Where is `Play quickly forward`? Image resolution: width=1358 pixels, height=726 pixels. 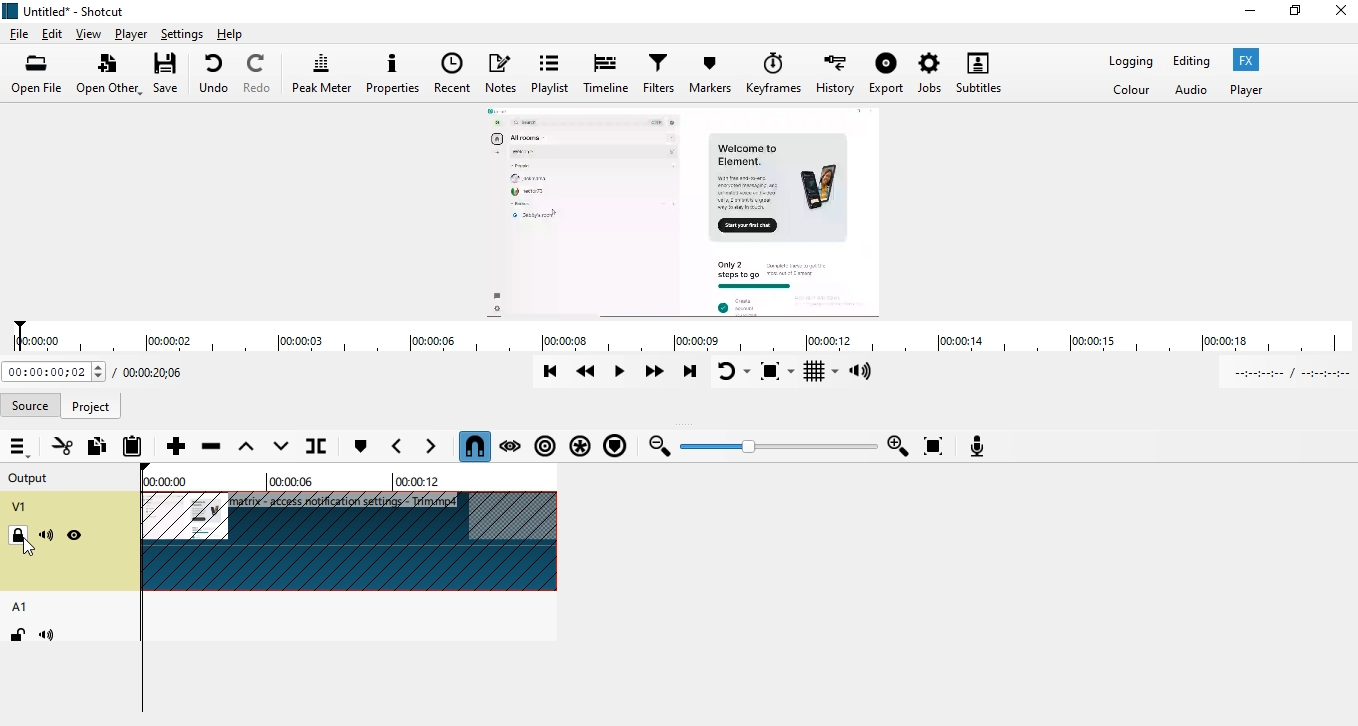 Play quickly forward is located at coordinates (659, 374).